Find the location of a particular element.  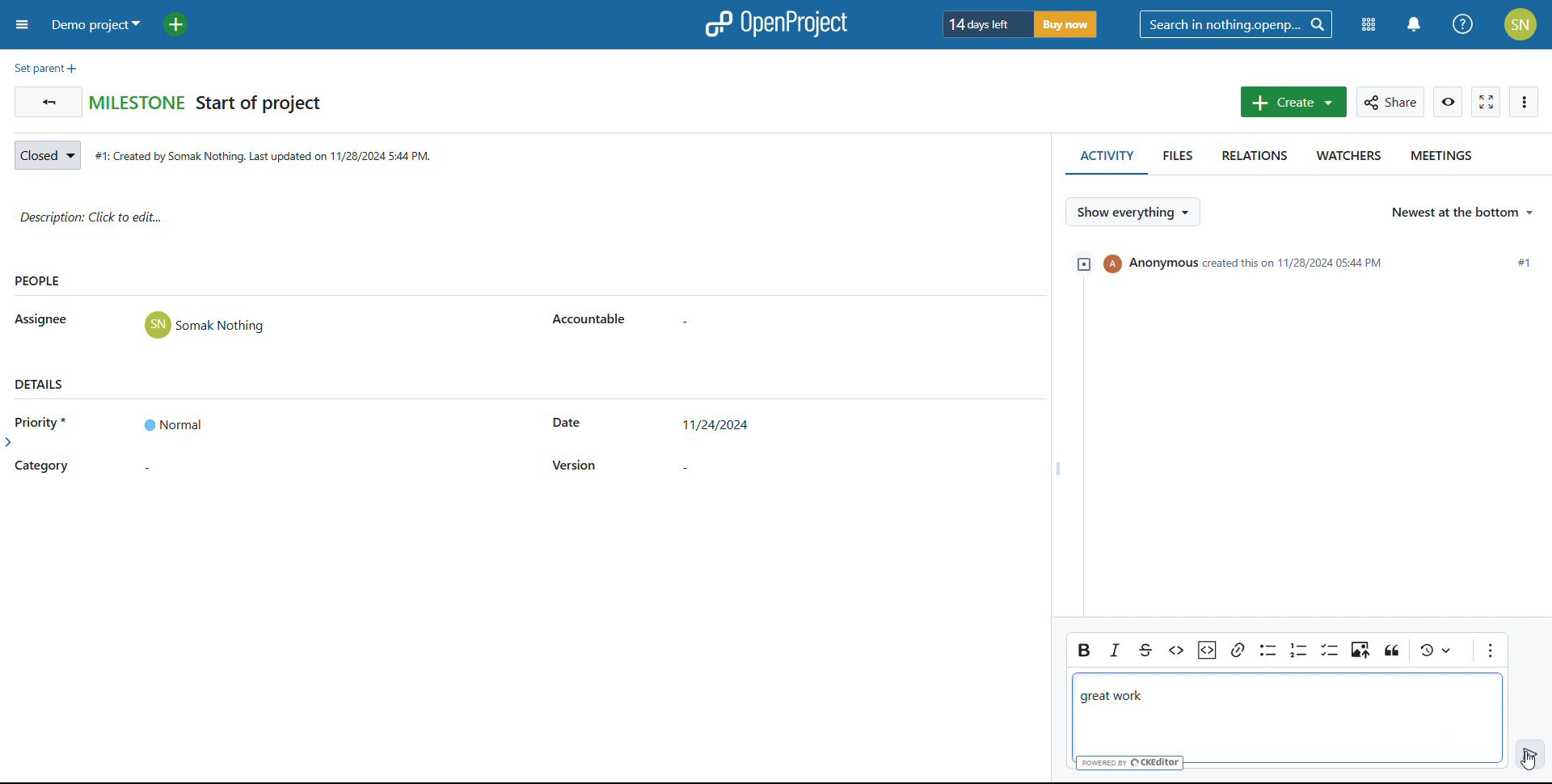

link is located at coordinates (1237, 649).